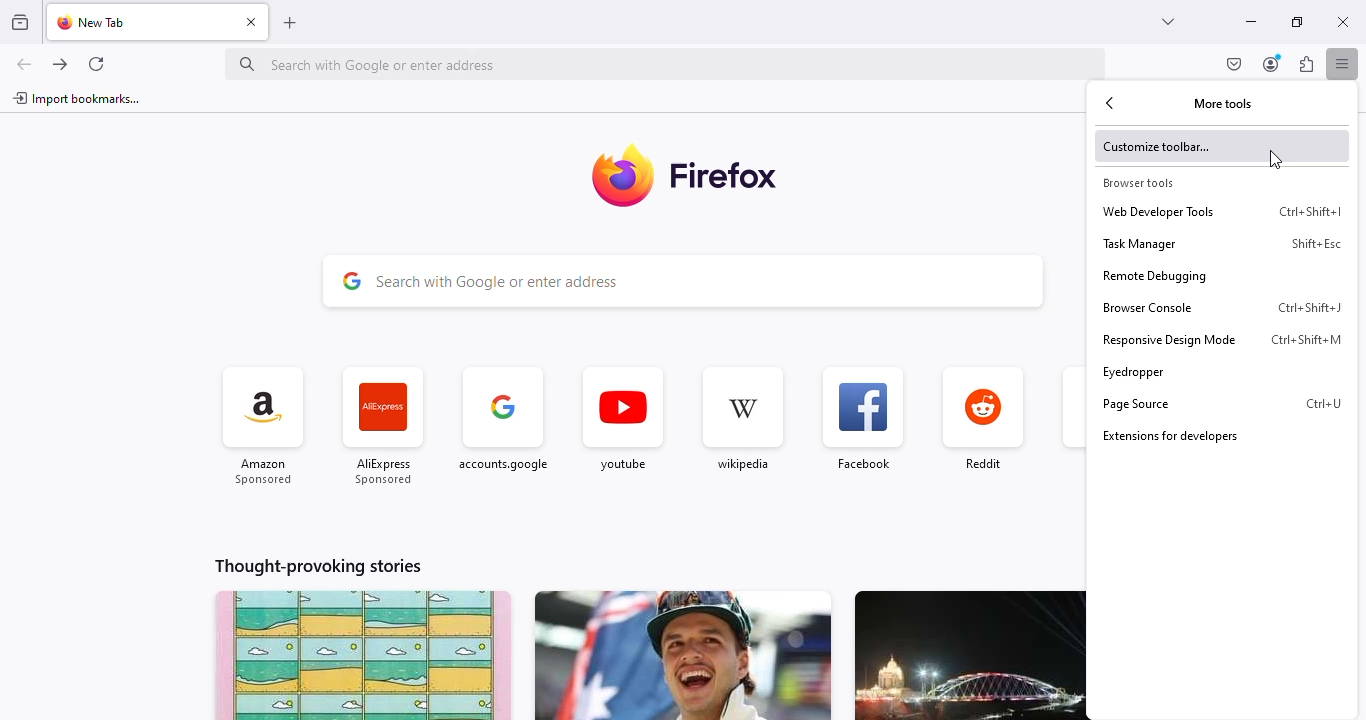  I want to click on facebook, so click(862, 420).